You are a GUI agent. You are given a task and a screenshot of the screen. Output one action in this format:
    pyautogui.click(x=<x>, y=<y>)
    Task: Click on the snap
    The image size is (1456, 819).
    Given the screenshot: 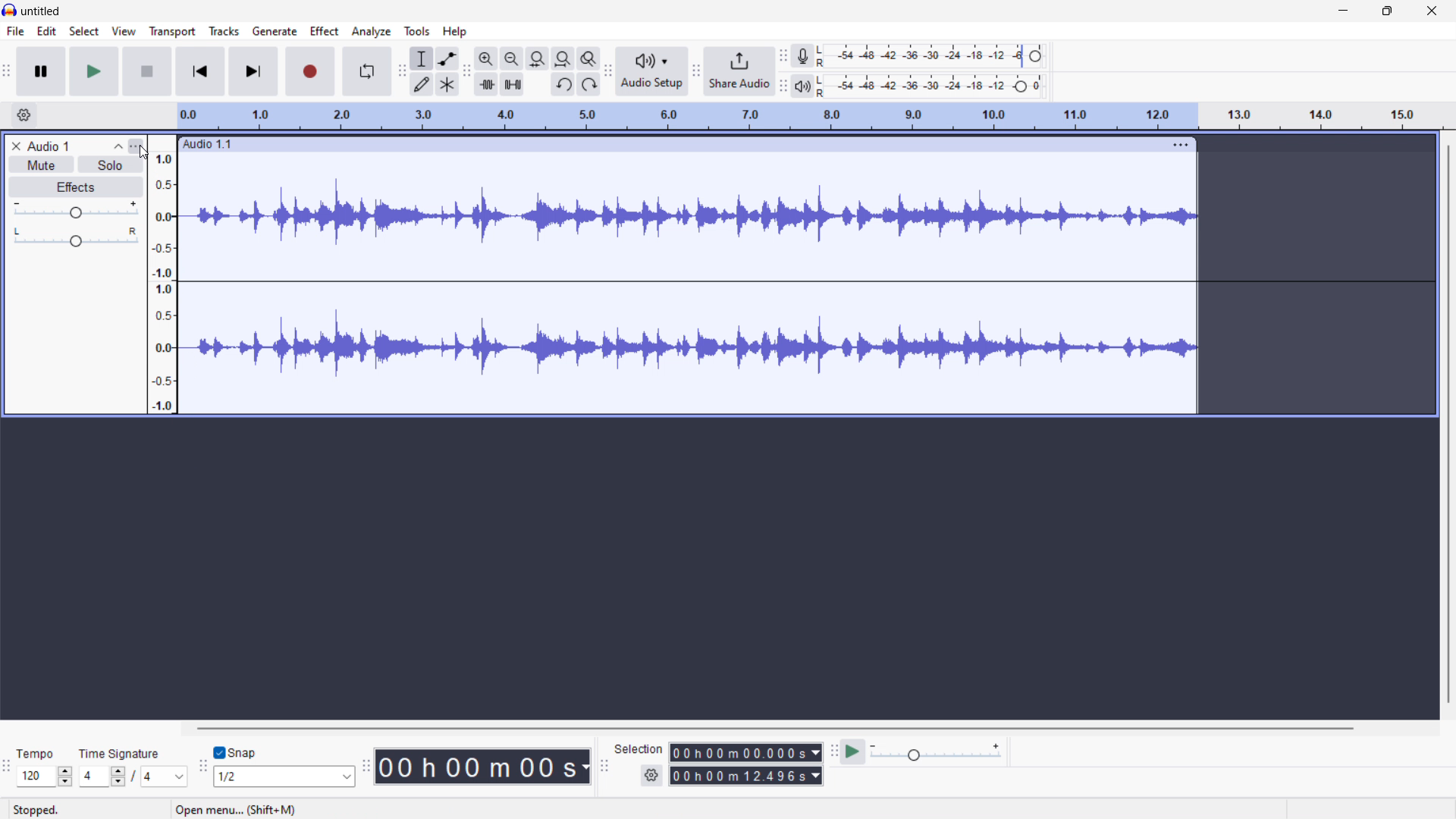 What is the action you would take?
    pyautogui.click(x=256, y=753)
    